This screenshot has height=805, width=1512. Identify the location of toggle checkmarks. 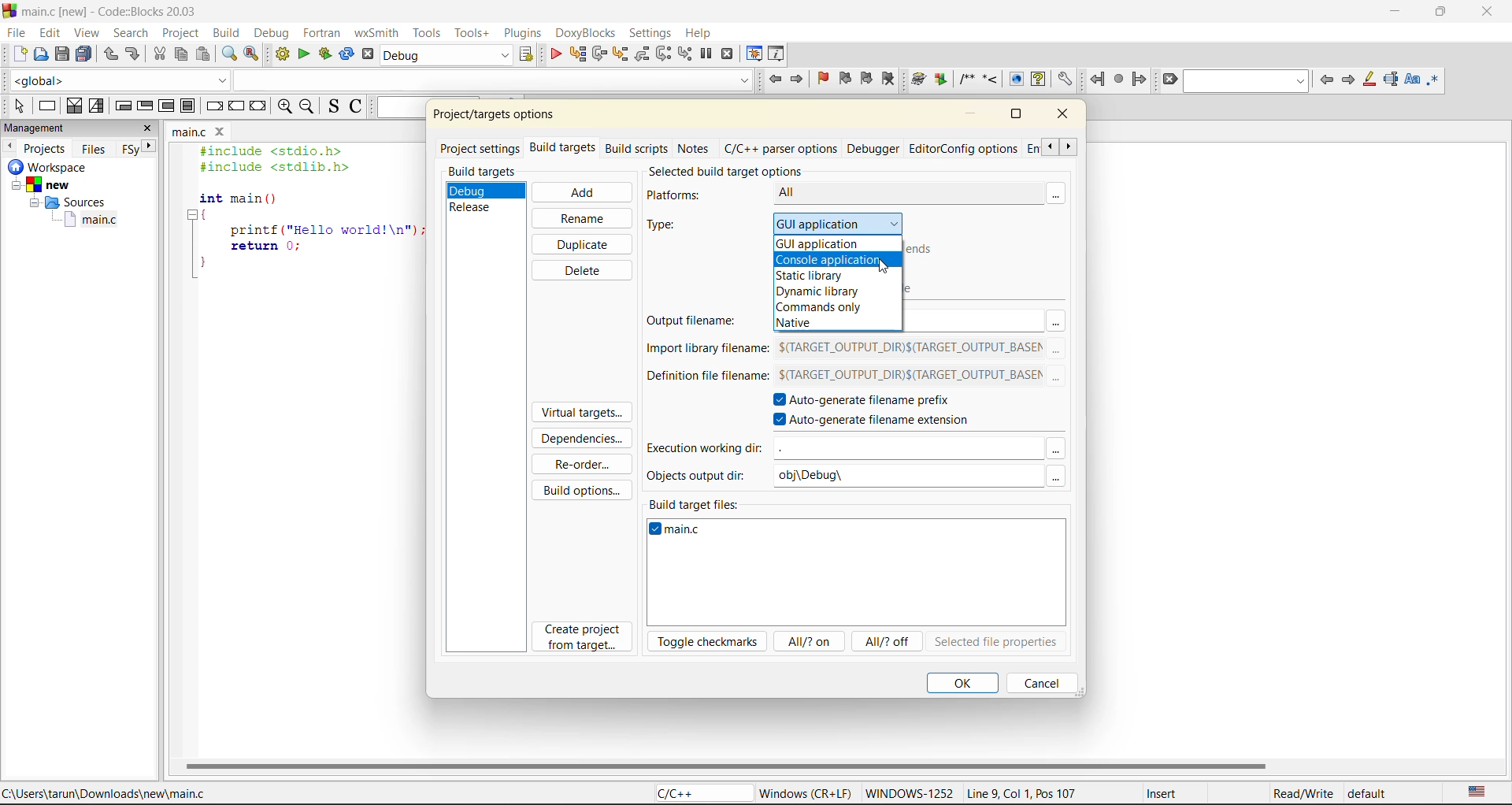
(709, 642).